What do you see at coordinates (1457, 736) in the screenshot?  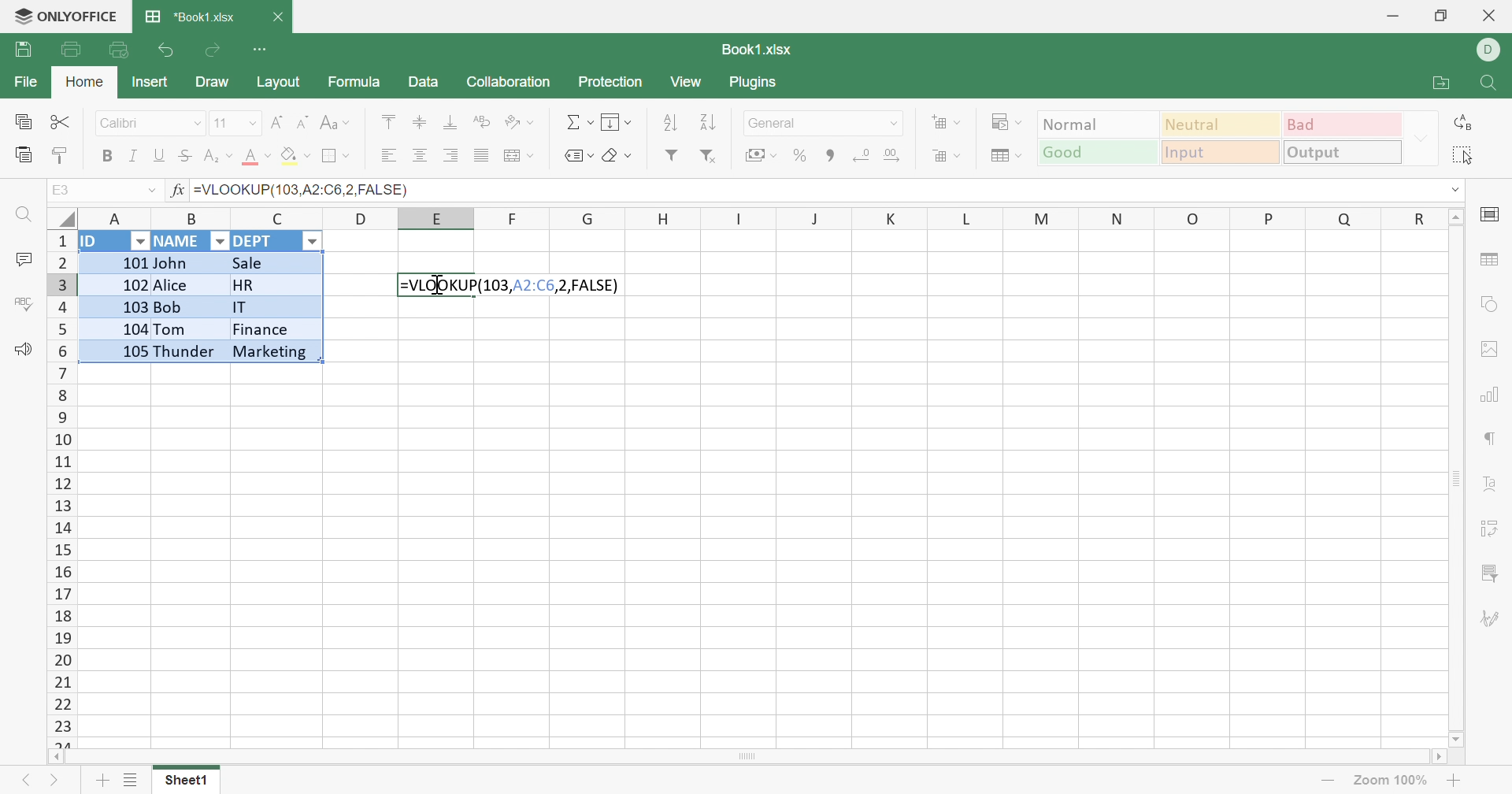 I see `Scroll Down` at bounding box center [1457, 736].